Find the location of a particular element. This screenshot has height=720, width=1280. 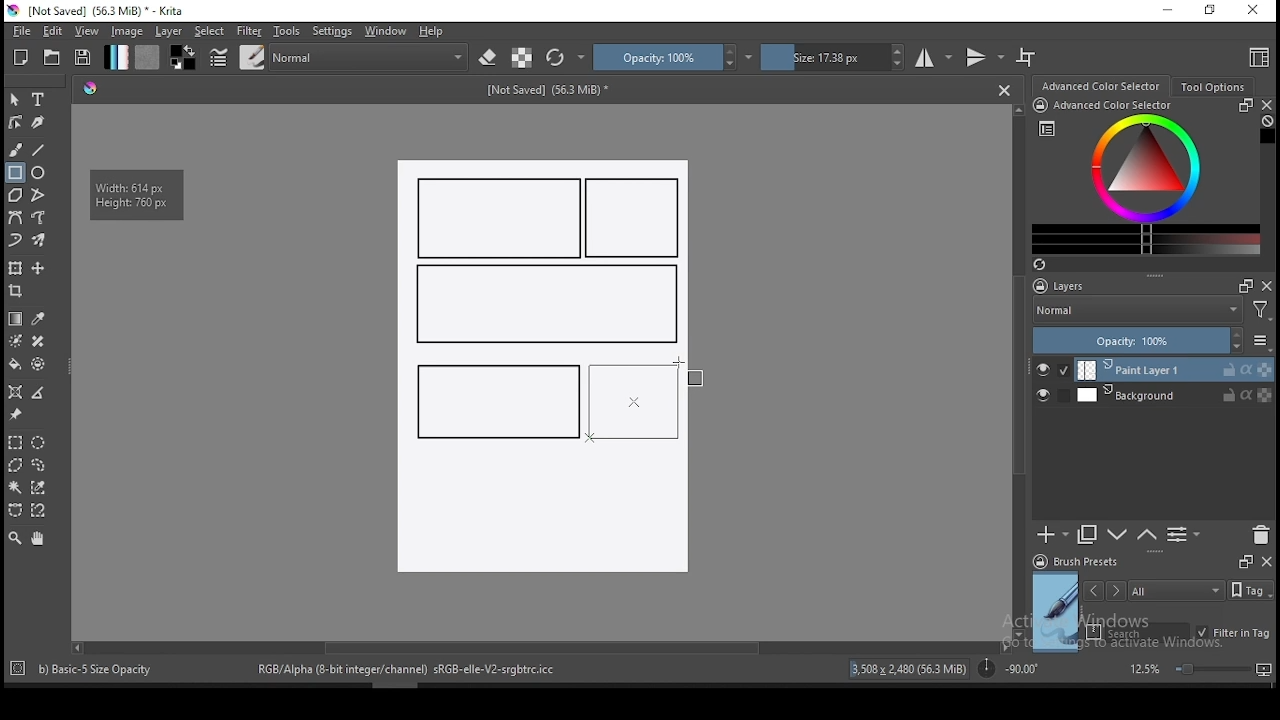

layer is located at coordinates (170, 31).